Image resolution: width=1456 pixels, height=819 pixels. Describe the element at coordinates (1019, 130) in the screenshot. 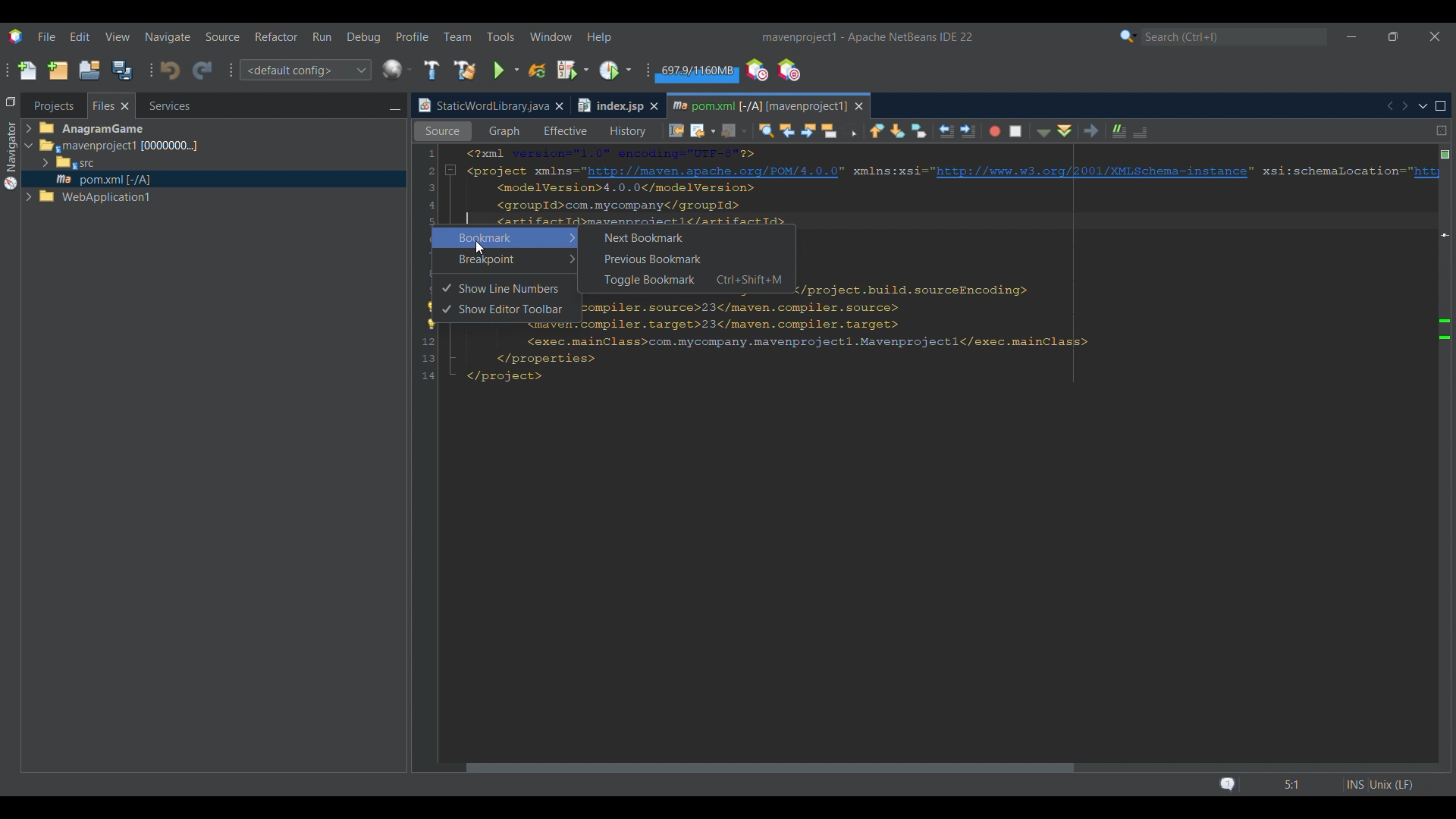

I see `Stop macro recording` at that location.